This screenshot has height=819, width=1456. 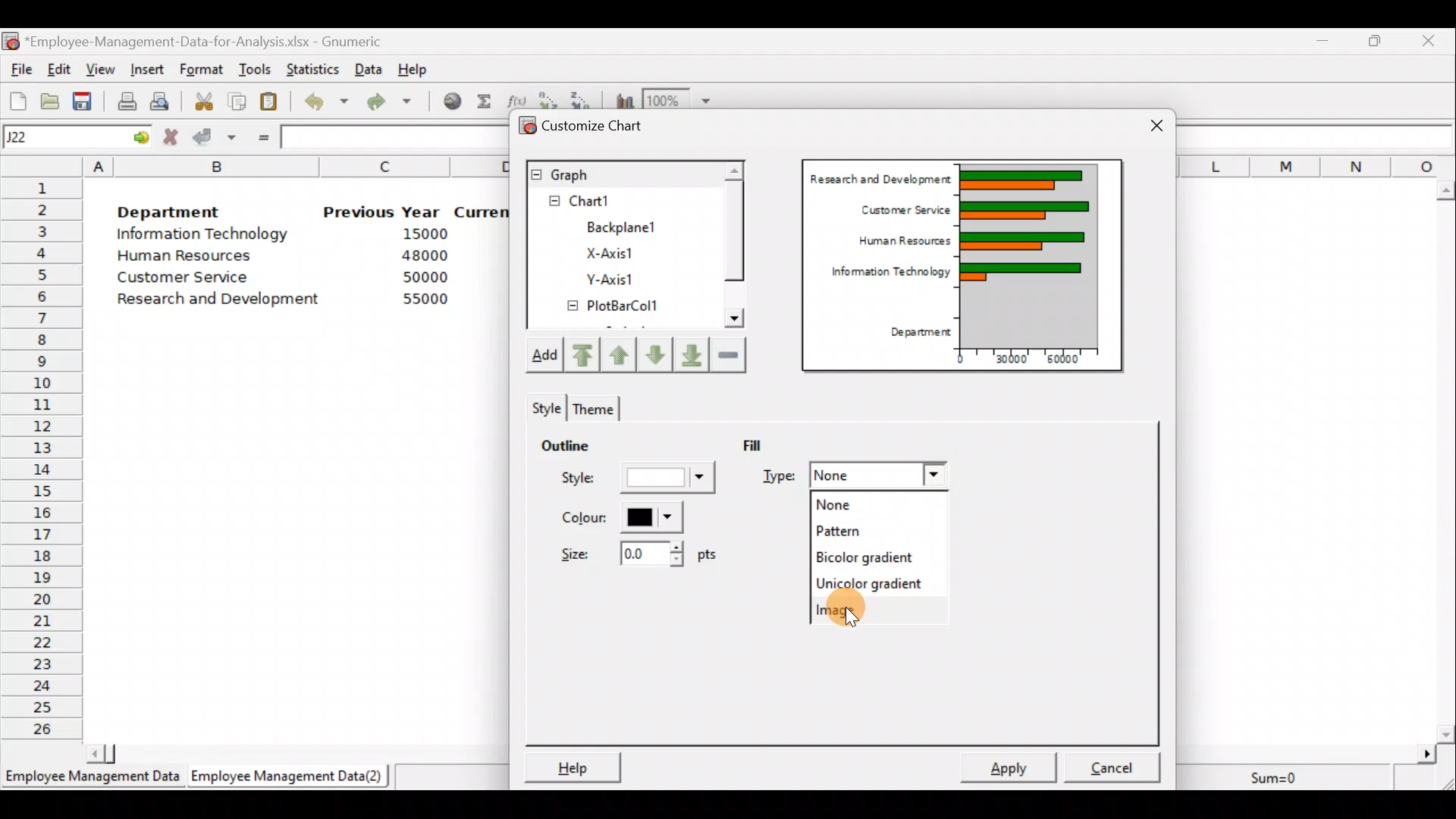 What do you see at coordinates (733, 247) in the screenshot?
I see `Scroll bar` at bounding box center [733, 247].